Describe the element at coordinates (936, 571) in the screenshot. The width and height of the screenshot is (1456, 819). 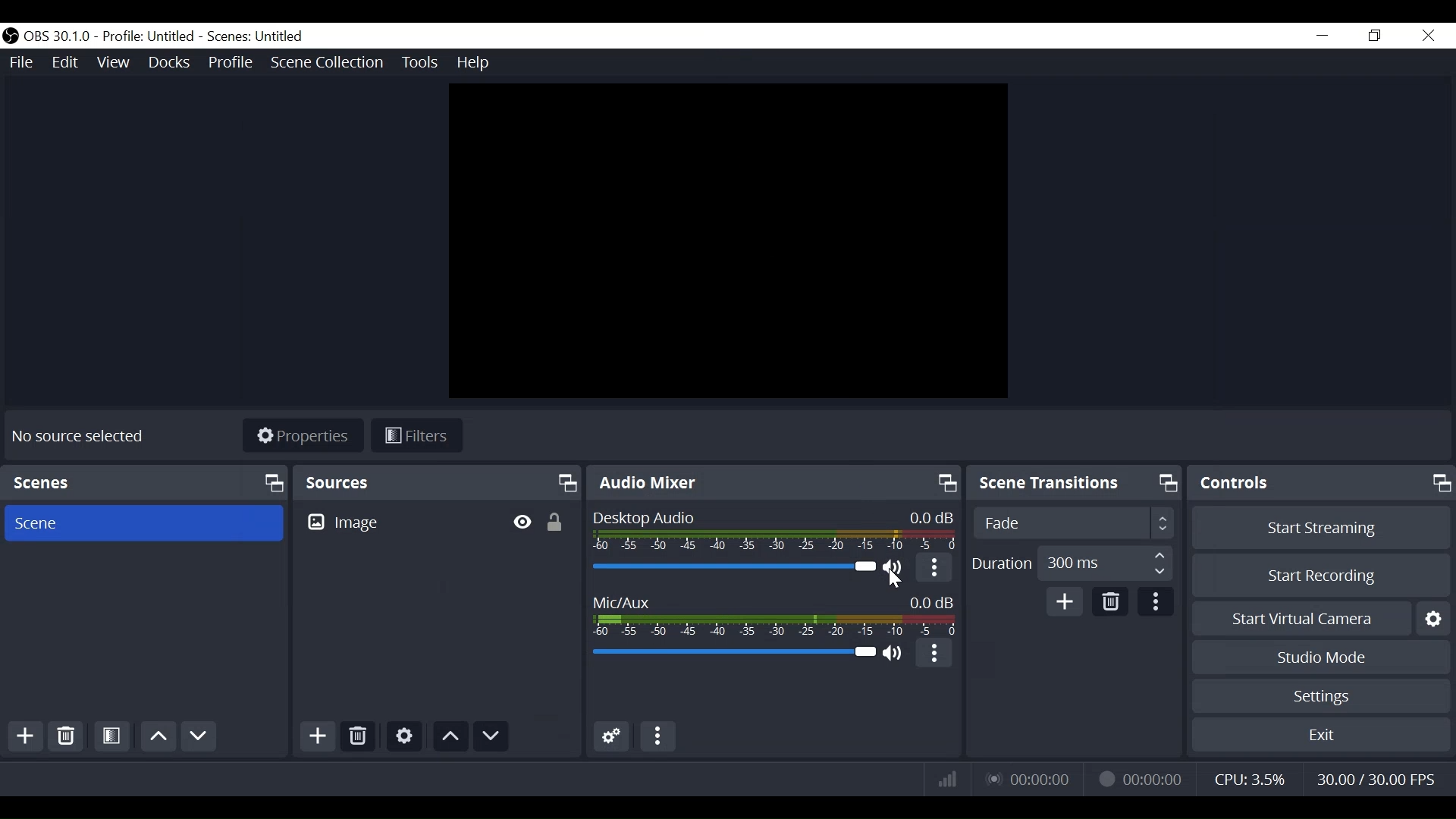
I see `More Options` at that location.